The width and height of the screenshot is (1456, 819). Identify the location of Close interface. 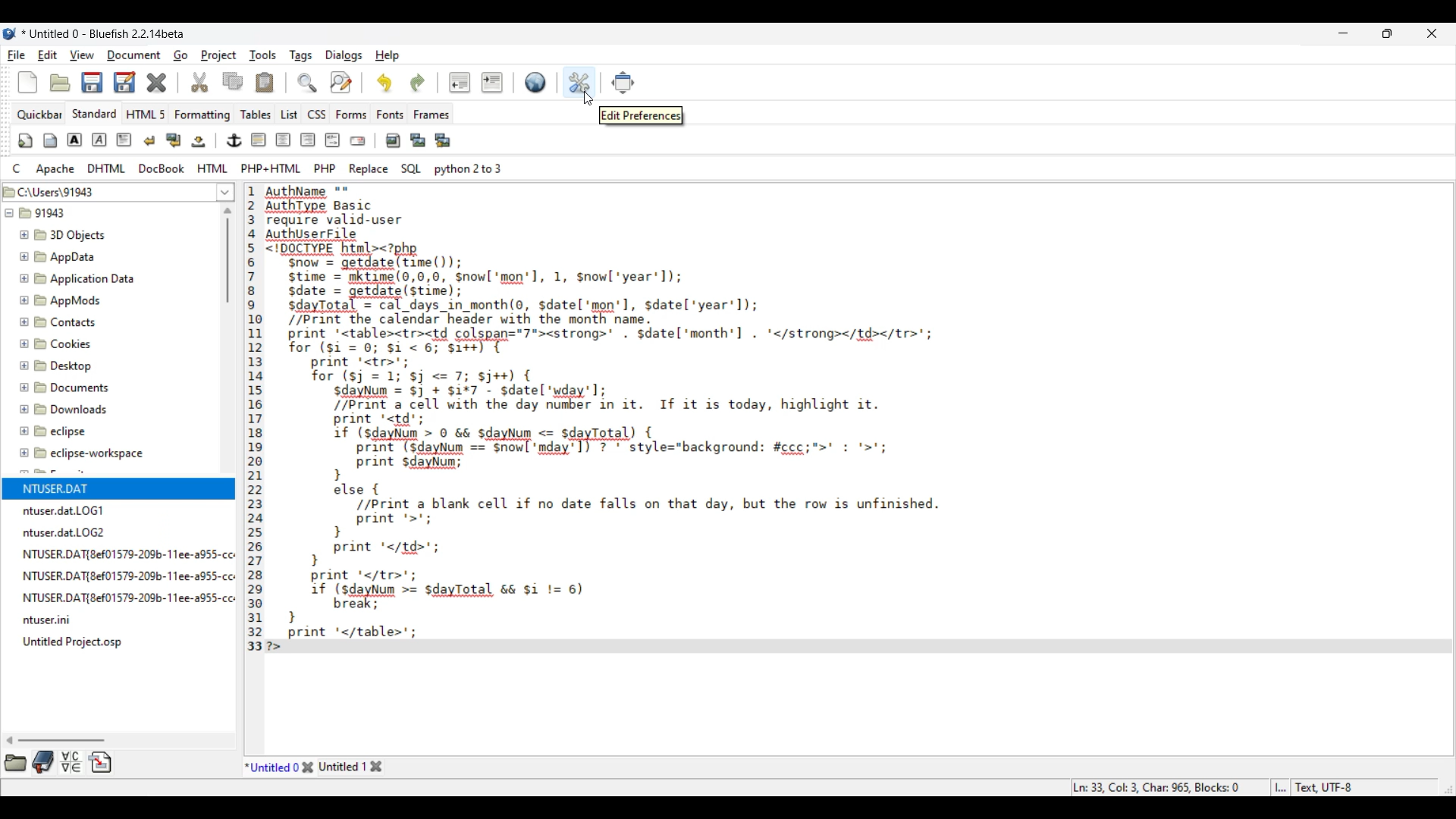
(1432, 33).